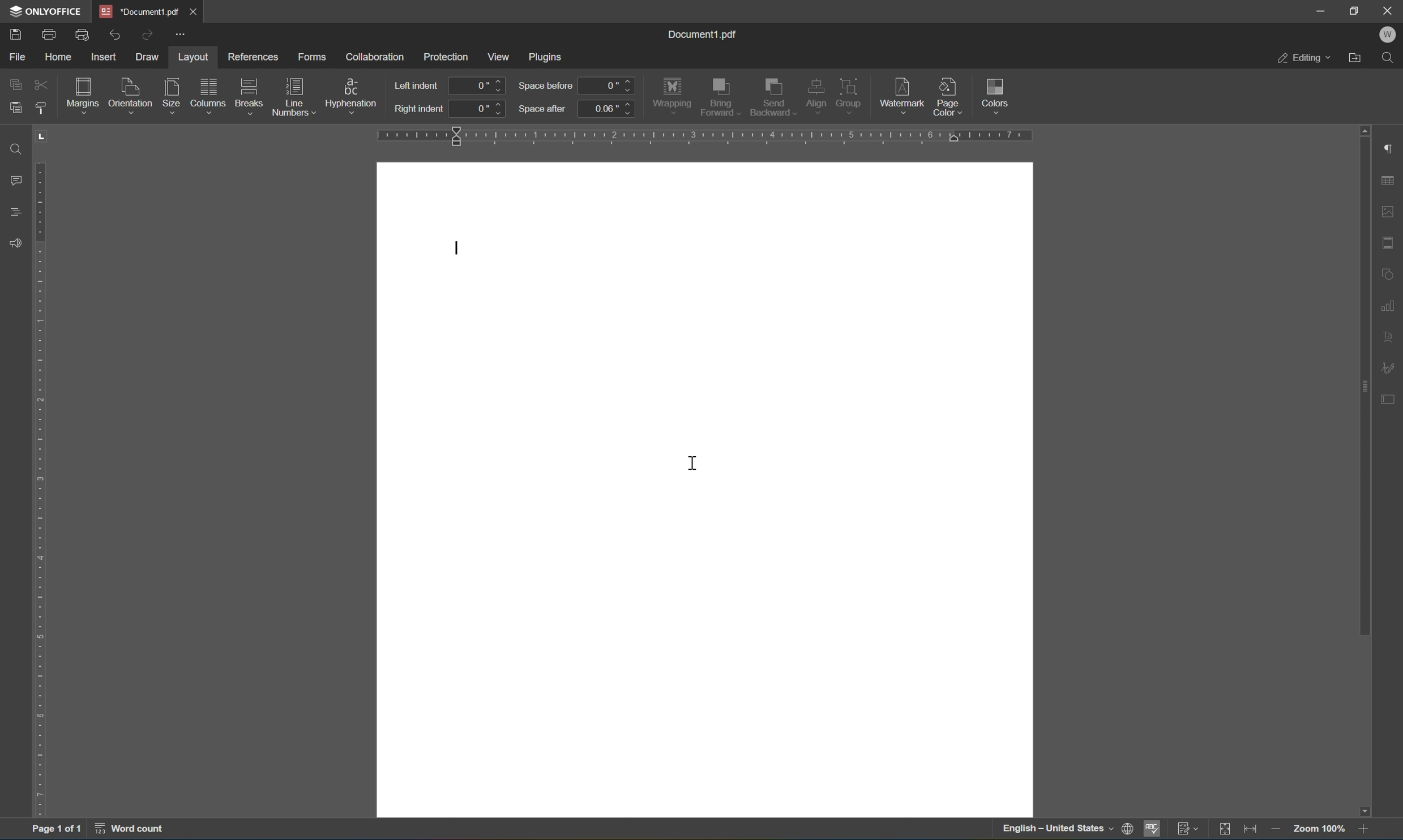  Describe the element at coordinates (15, 83) in the screenshot. I see `copy` at that location.